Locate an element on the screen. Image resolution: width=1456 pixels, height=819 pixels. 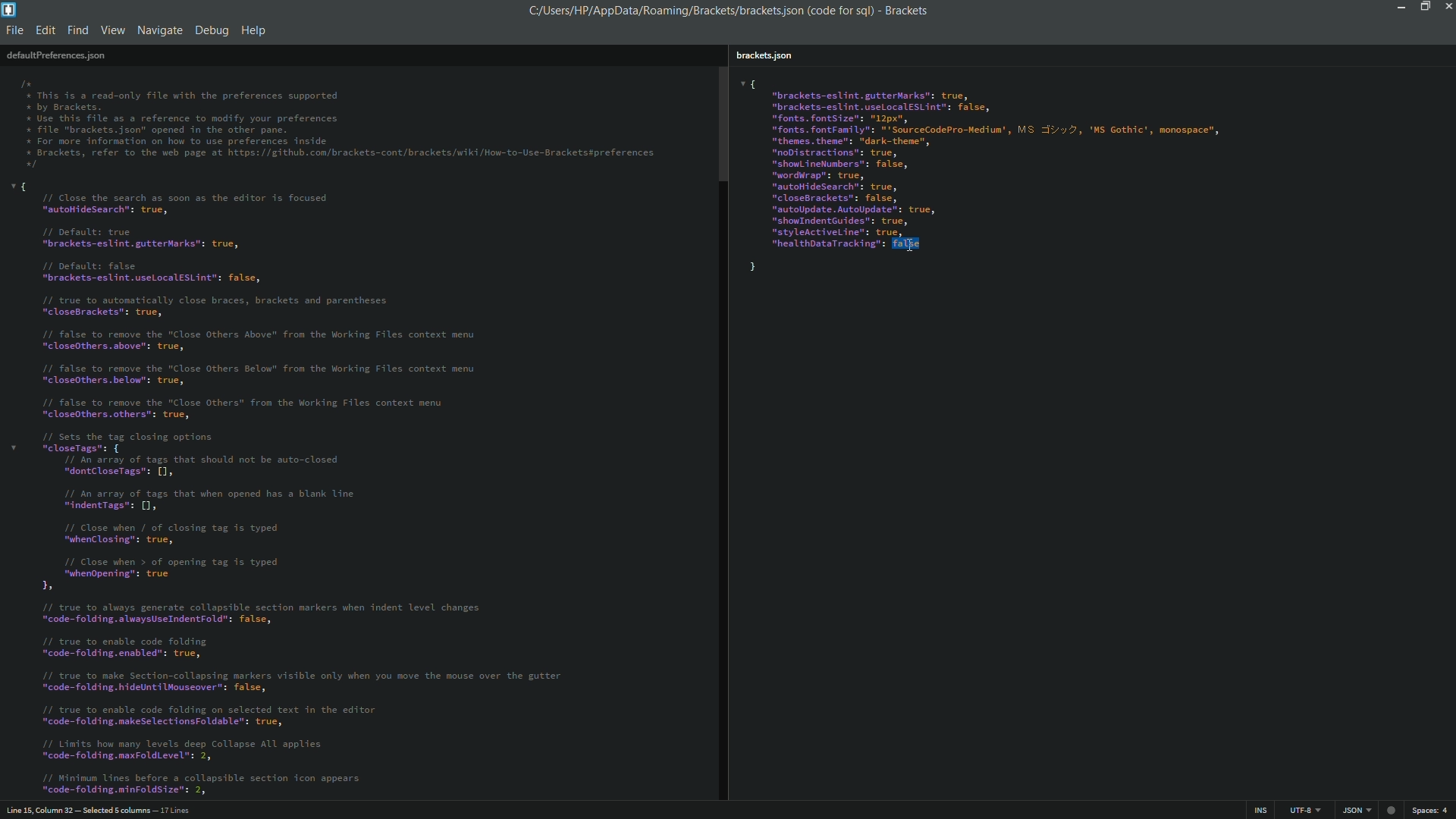
scroll bar is located at coordinates (722, 433).